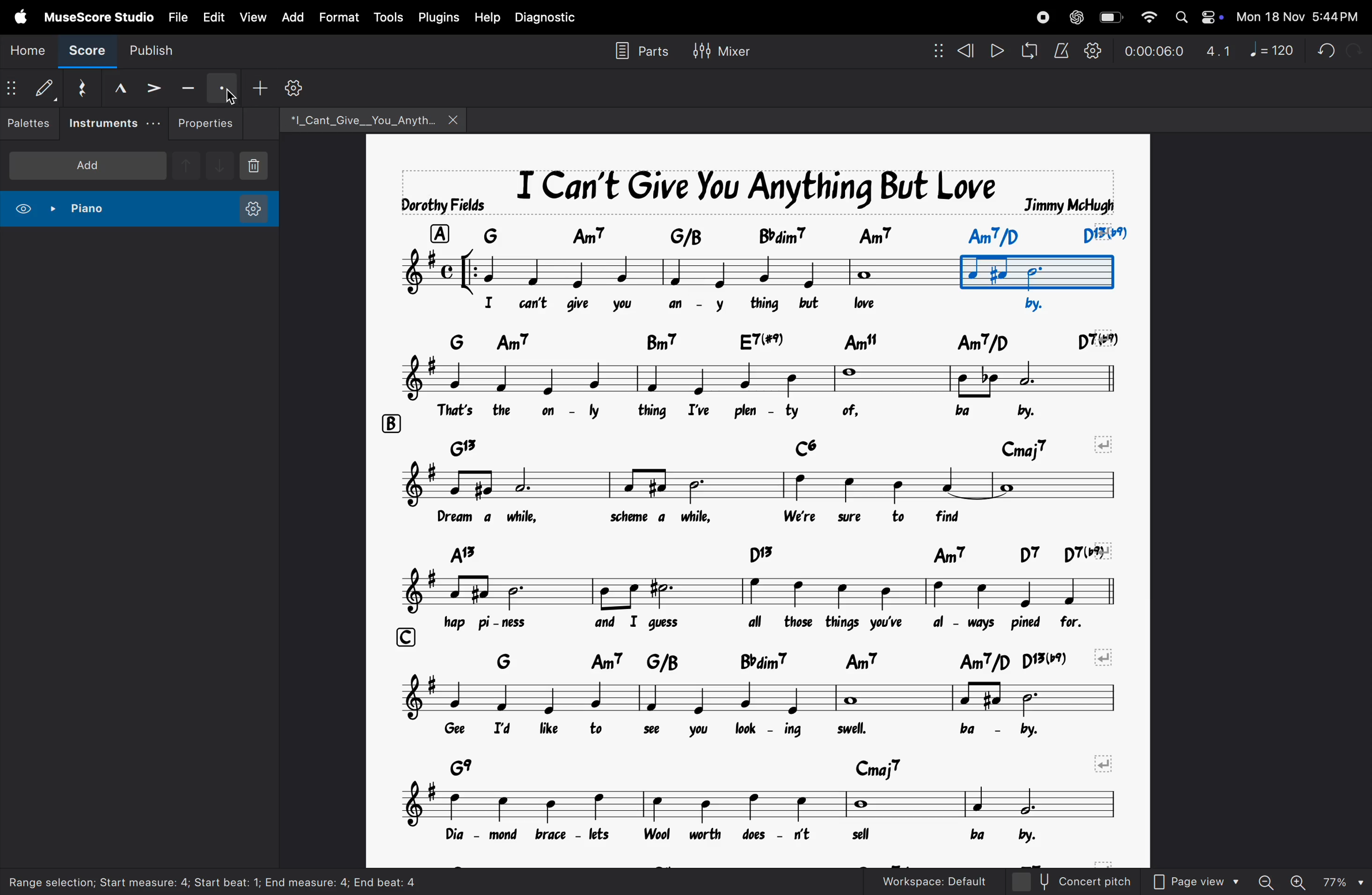 The height and width of the screenshot is (895, 1372). I want to click on cursor, so click(229, 96).